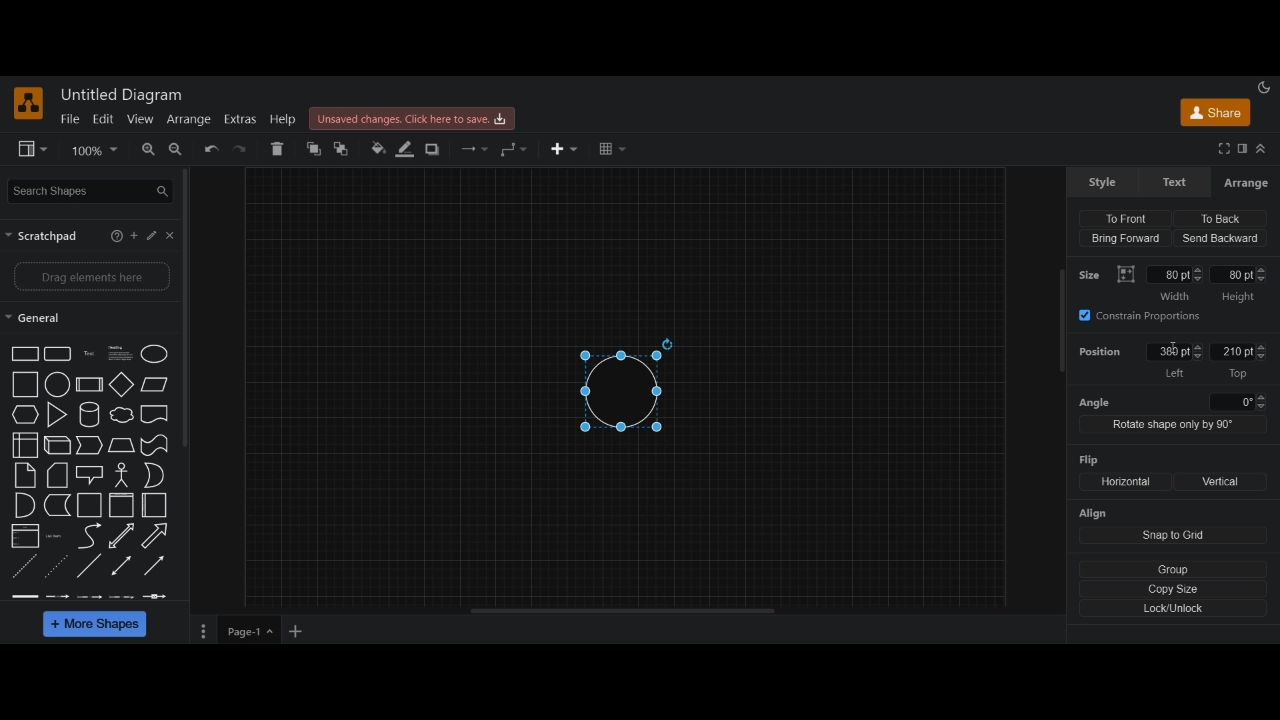  Describe the element at coordinates (211, 150) in the screenshot. I see `undo` at that location.